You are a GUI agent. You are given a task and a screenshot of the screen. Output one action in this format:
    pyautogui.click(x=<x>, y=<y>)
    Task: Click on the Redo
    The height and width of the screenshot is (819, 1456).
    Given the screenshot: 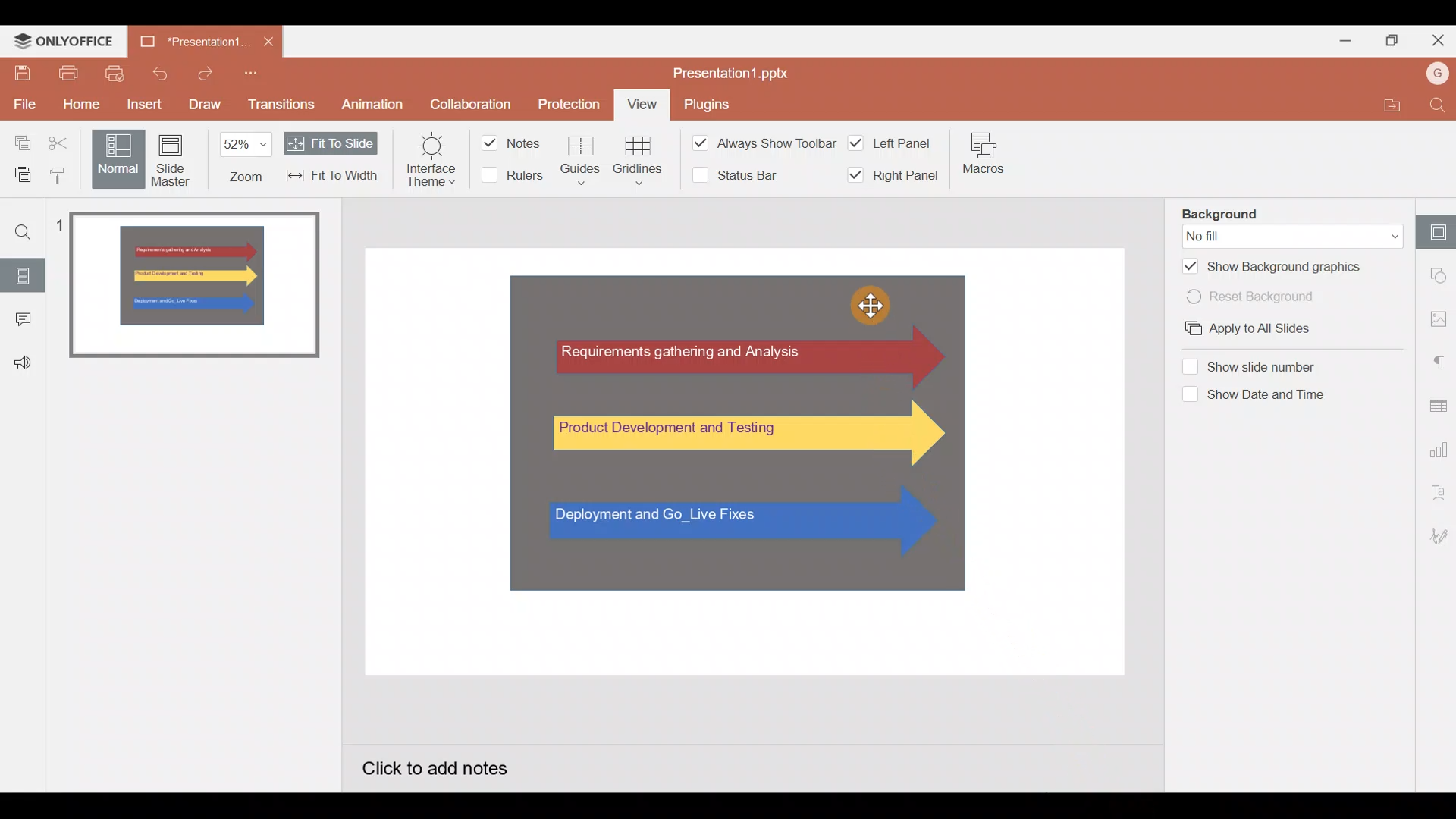 What is the action you would take?
    pyautogui.click(x=203, y=73)
    